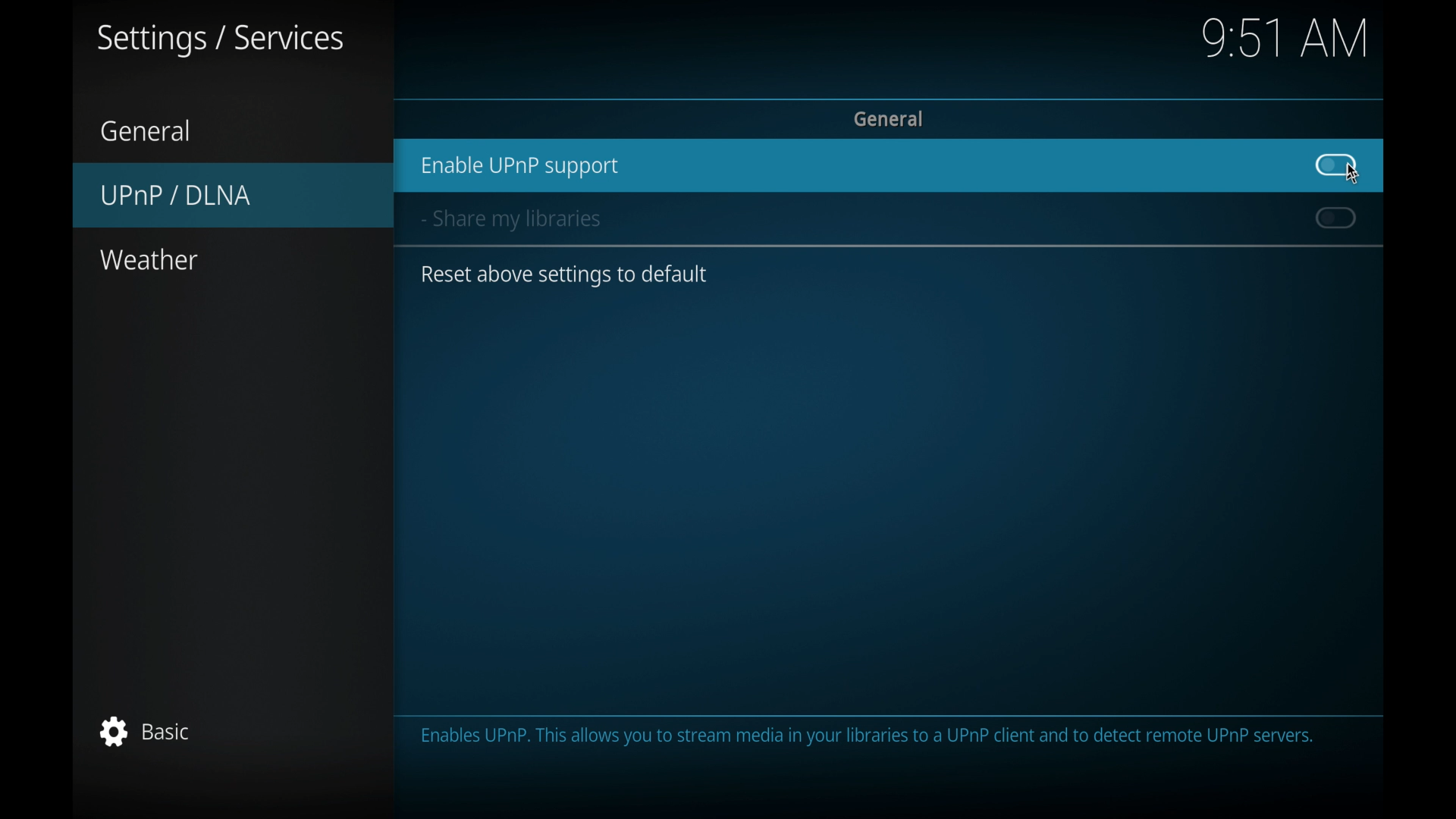 The image size is (1456, 819). What do you see at coordinates (889, 119) in the screenshot?
I see `general` at bounding box center [889, 119].